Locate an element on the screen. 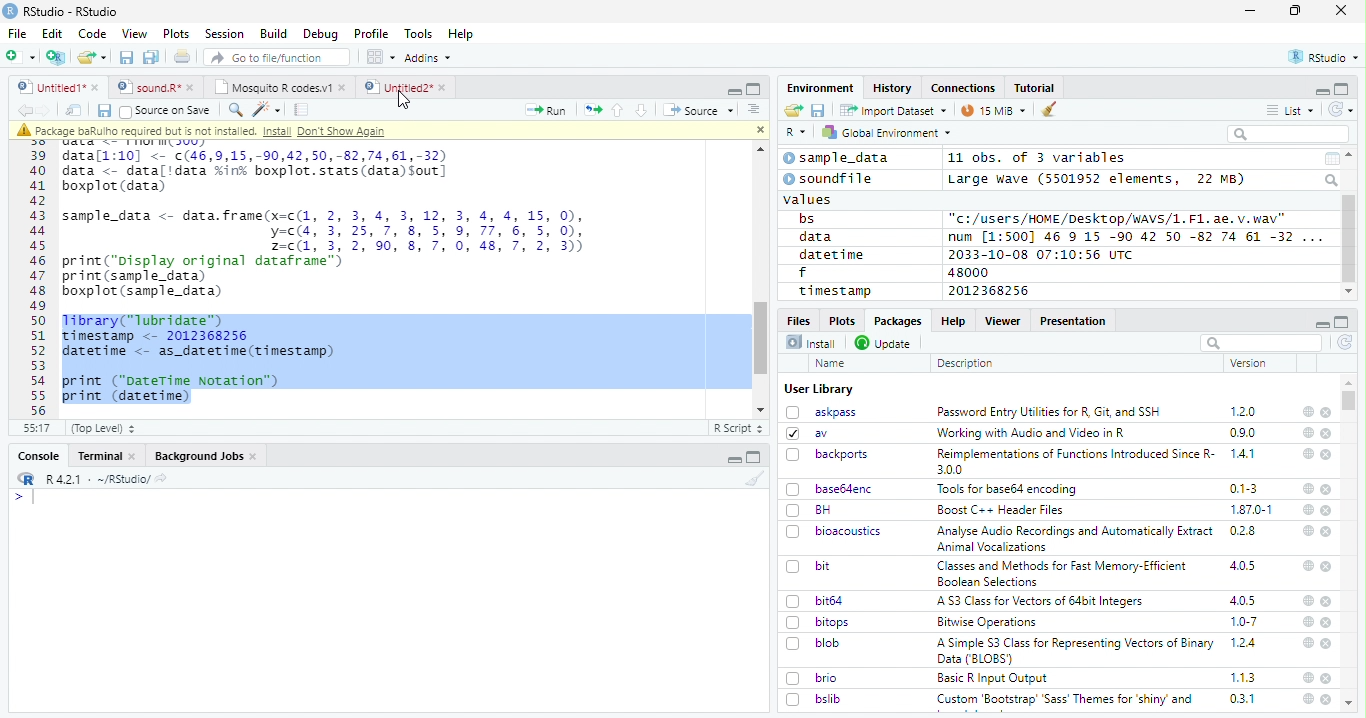 The height and width of the screenshot is (718, 1366). R is located at coordinates (796, 133).